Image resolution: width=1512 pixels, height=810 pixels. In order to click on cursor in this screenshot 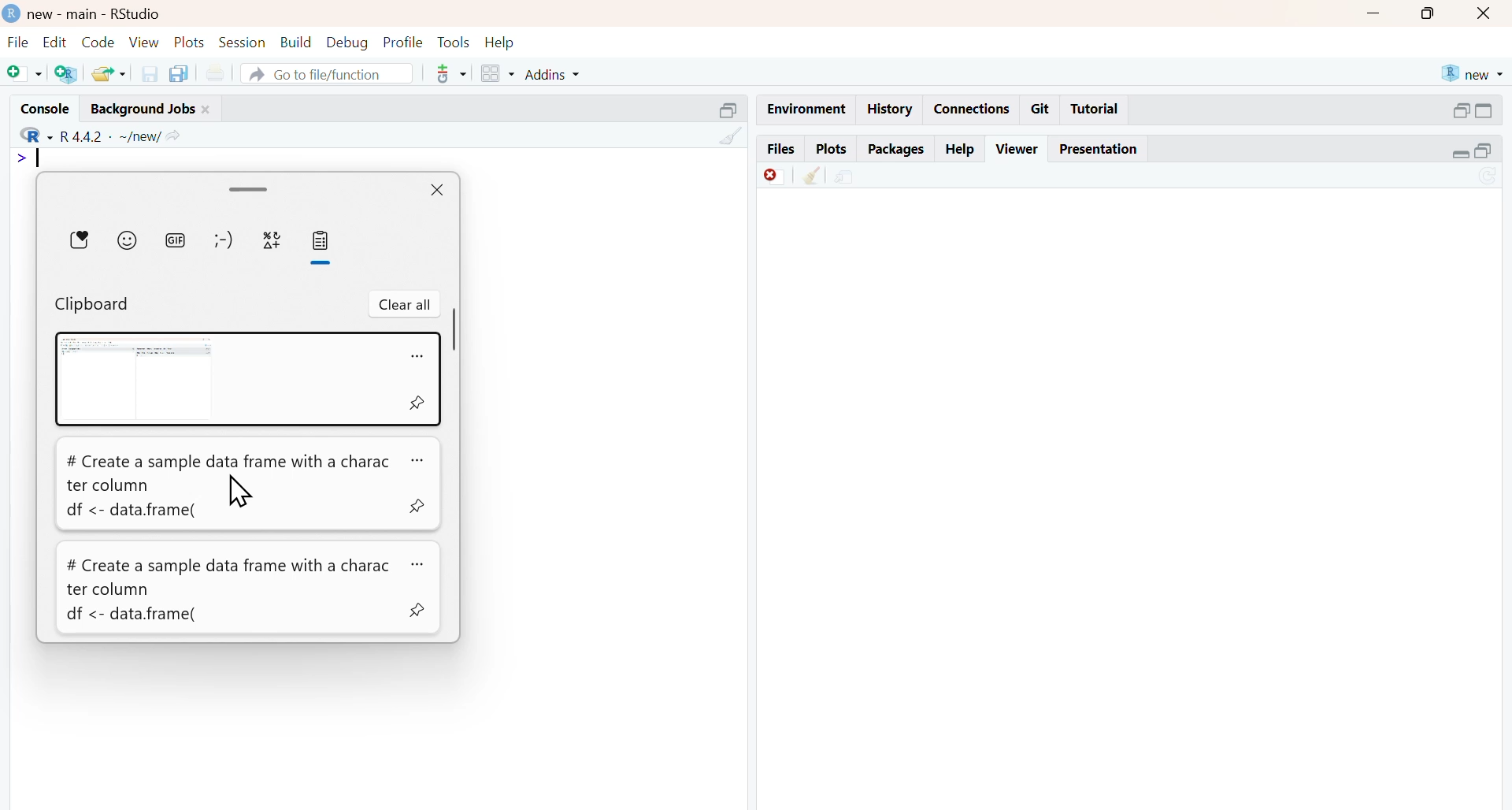, I will do `click(241, 493)`.